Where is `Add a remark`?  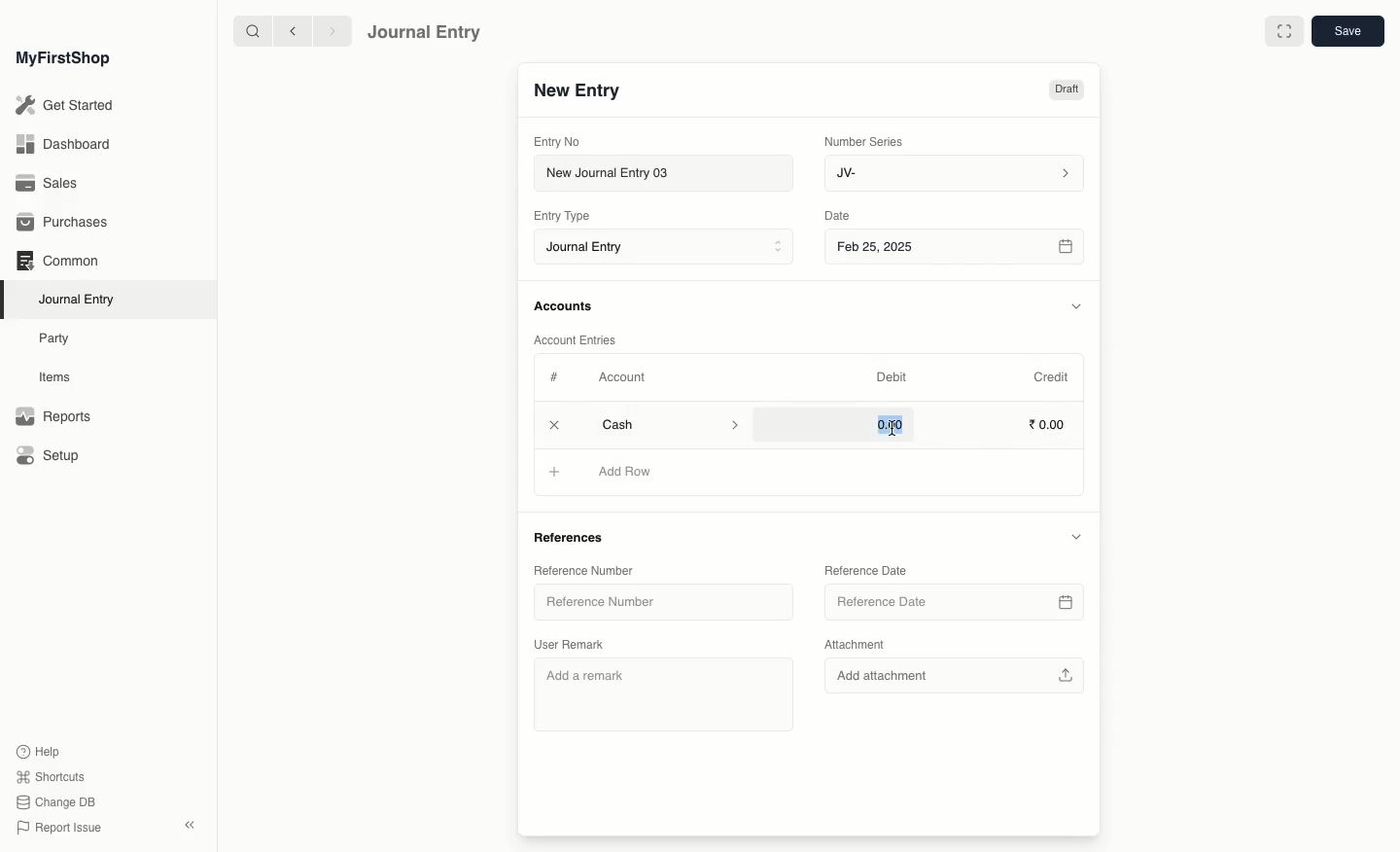
Add a remark is located at coordinates (663, 693).